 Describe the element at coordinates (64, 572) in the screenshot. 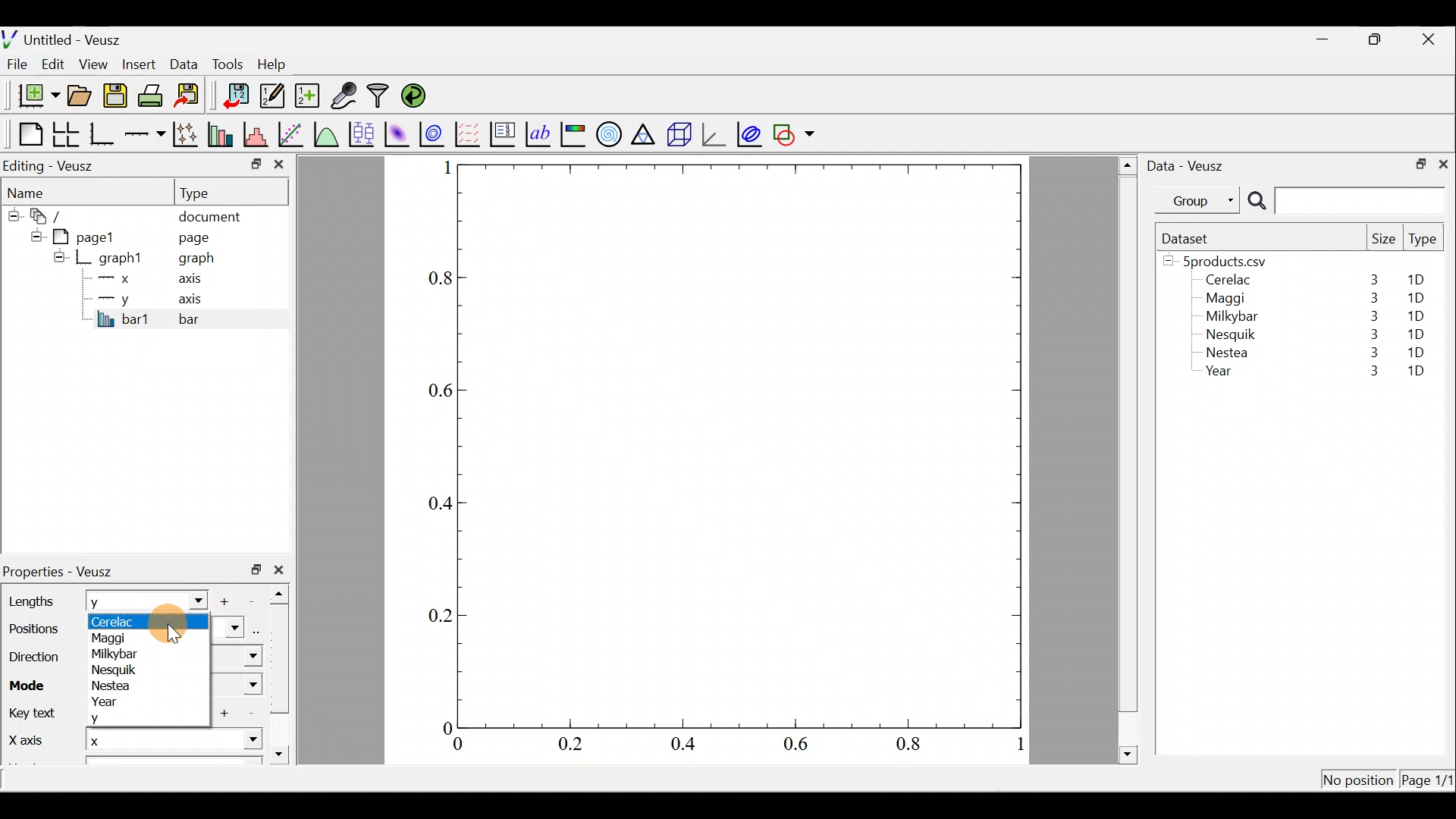

I see `Properties - Veusz` at that location.